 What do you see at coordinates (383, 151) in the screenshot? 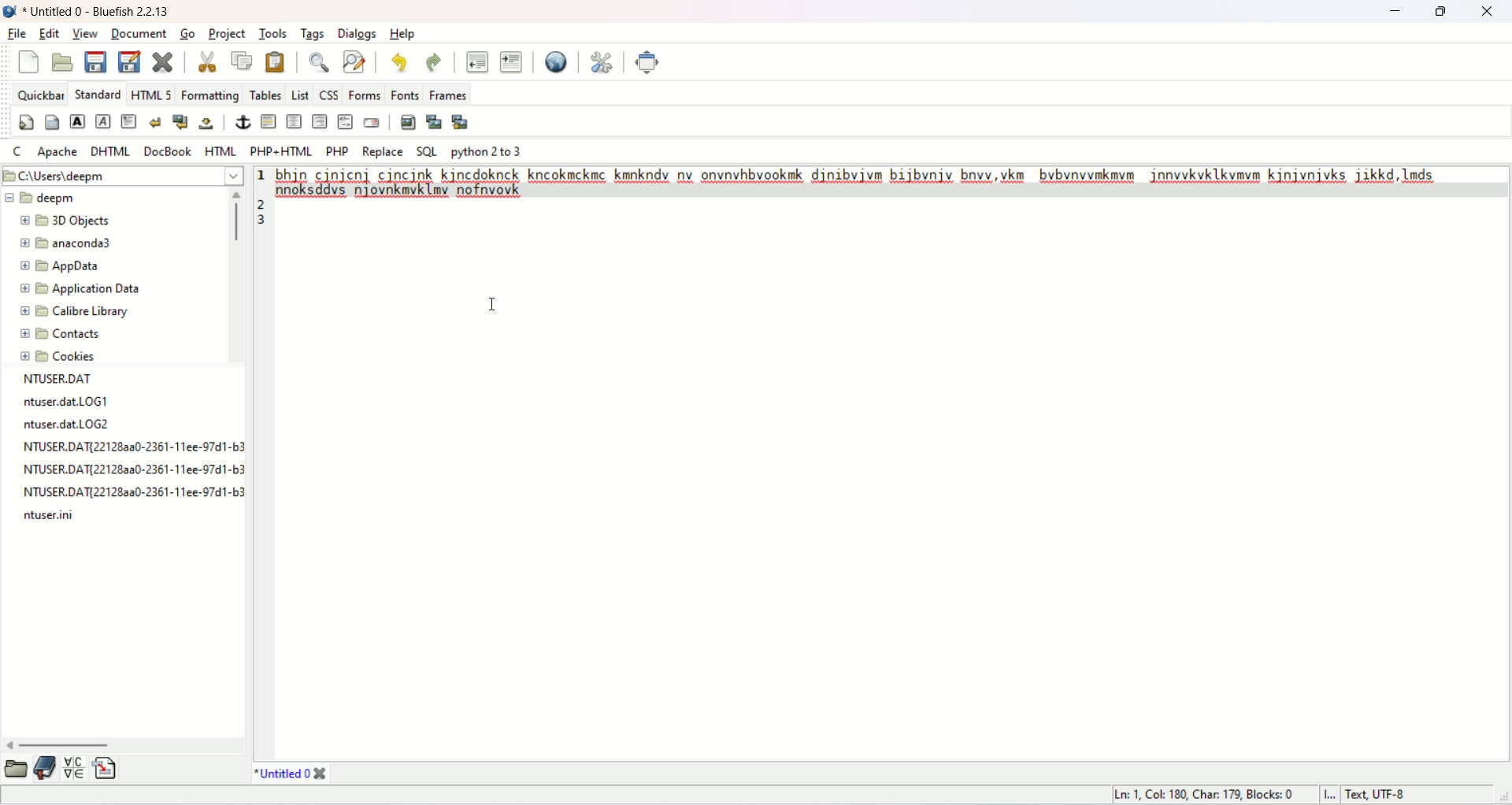
I see `REPLACE` at bounding box center [383, 151].